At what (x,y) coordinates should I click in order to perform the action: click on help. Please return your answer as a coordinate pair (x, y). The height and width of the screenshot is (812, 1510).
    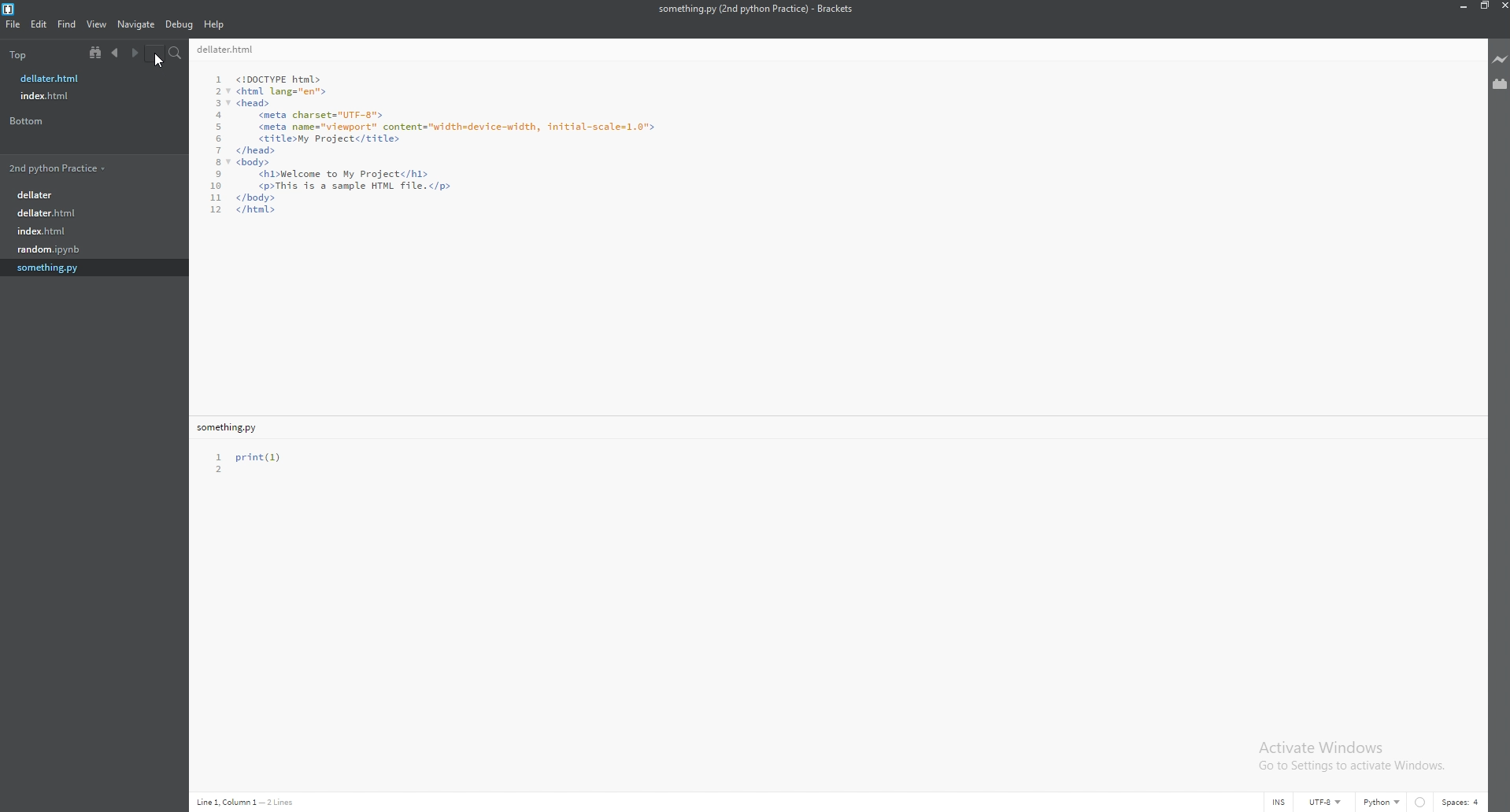
    Looking at the image, I should click on (215, 24).